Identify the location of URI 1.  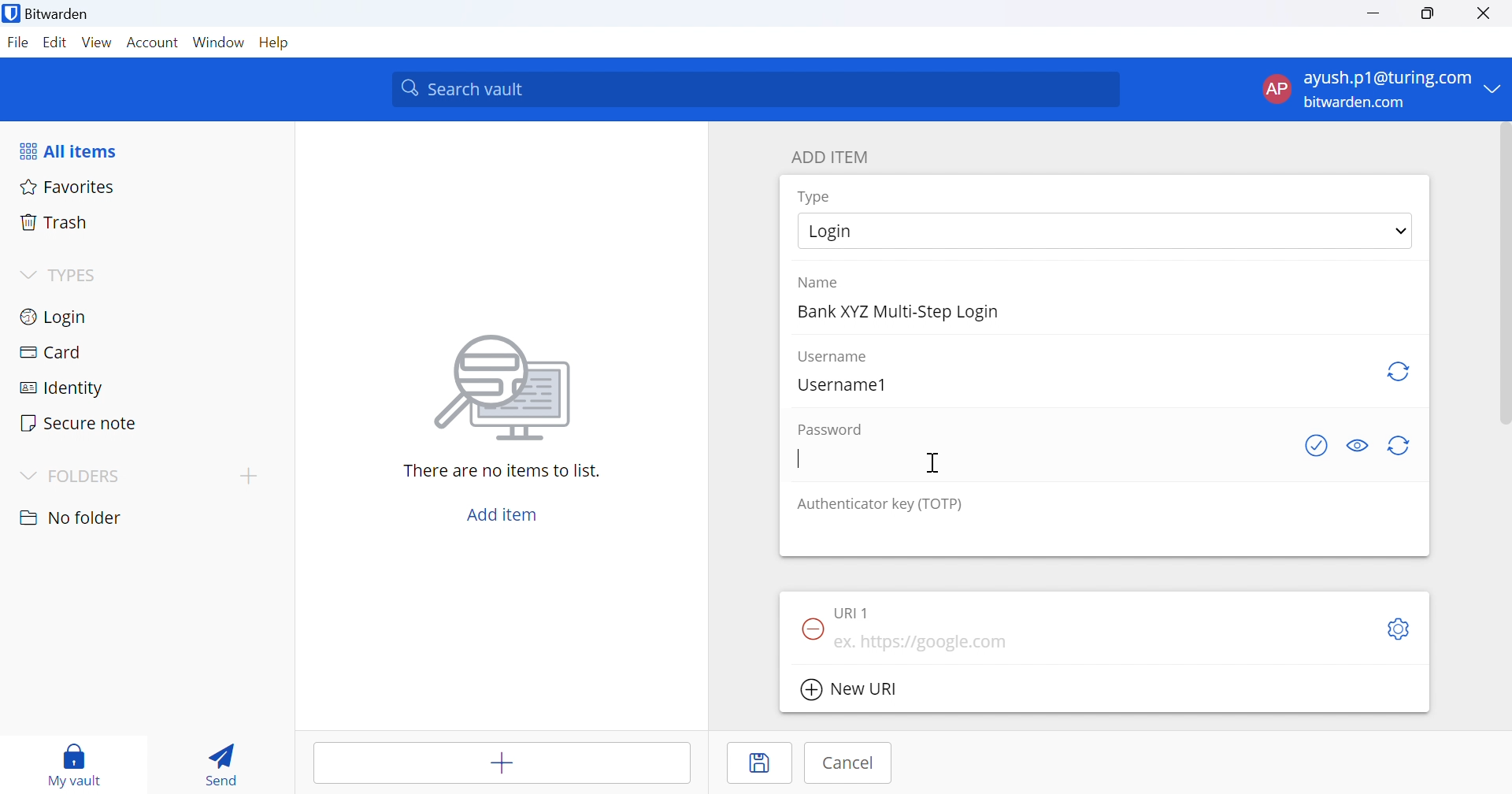
(854, 610).